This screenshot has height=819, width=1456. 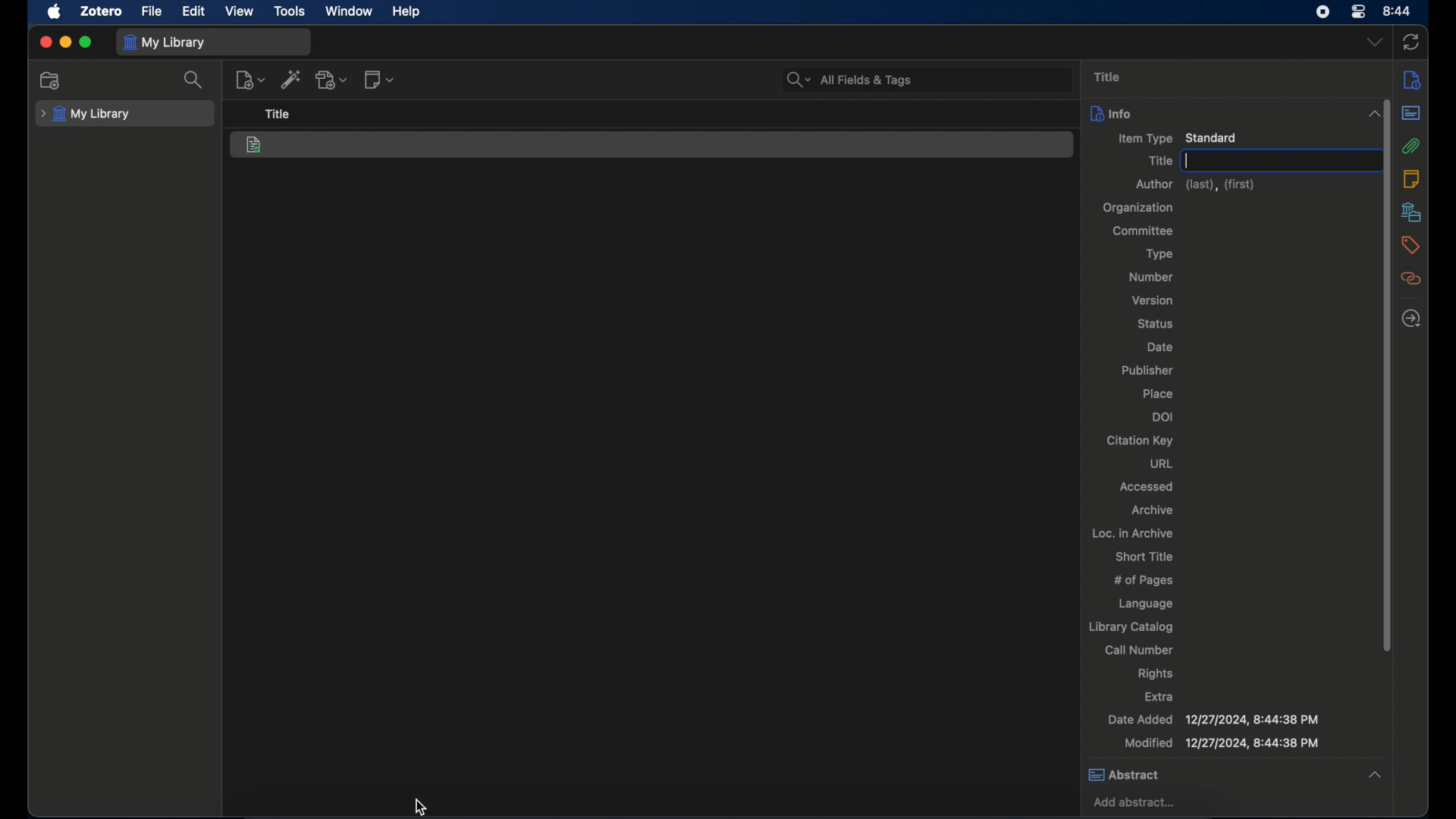 I want to click on type, so click(x=1156, y=253).